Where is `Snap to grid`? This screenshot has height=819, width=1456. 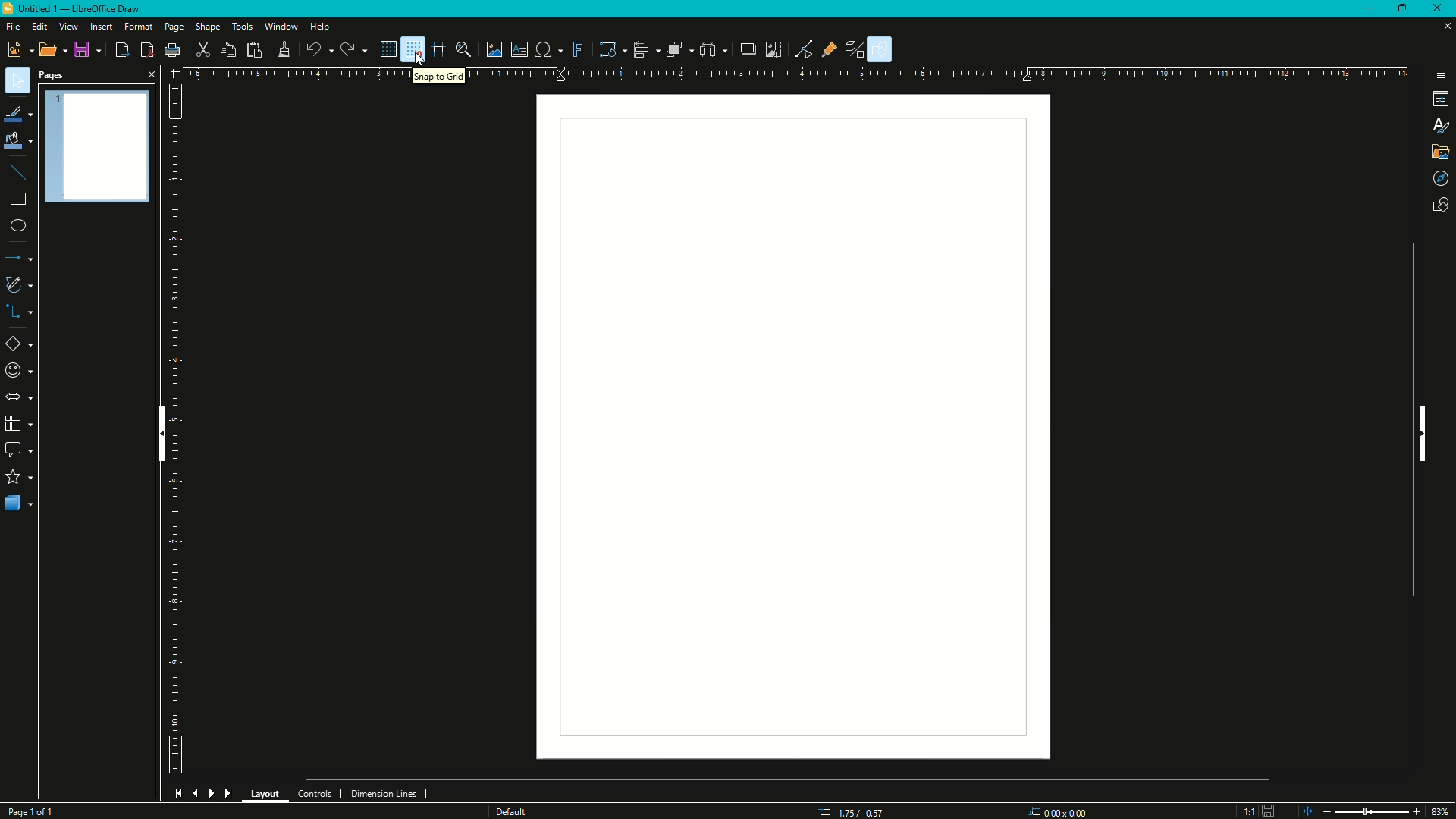
Snap to grid is located at coordinates (412, 49).